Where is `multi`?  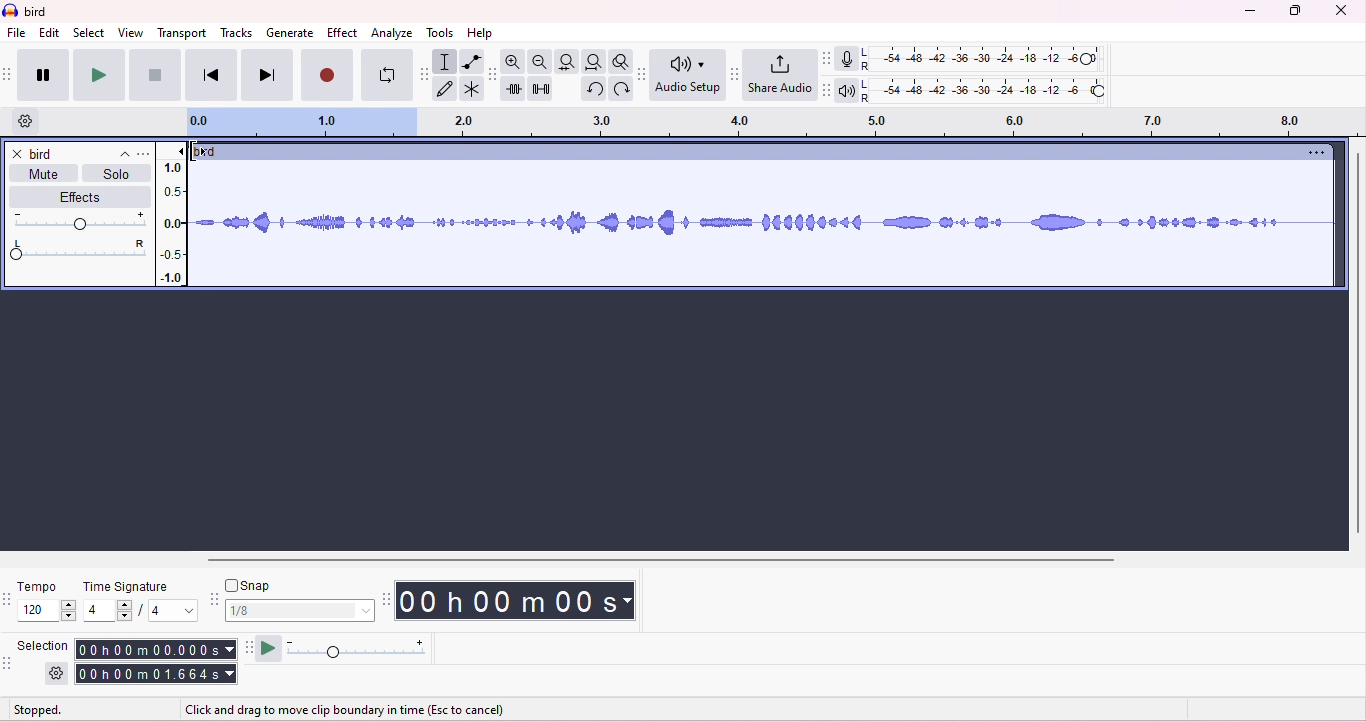
multi is located at coordinates (470, 89).